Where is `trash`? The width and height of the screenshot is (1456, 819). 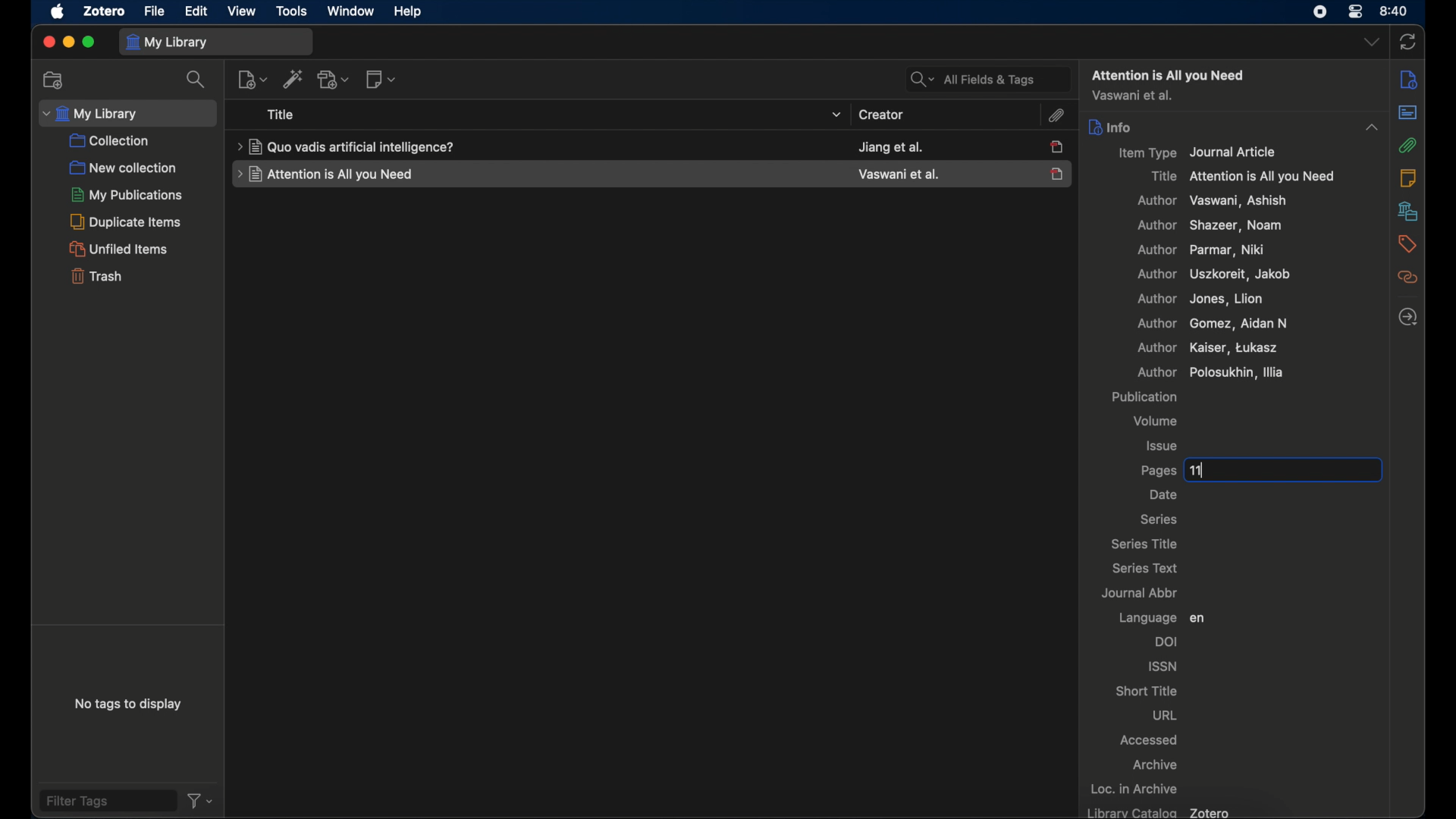 trash is located at coordinates (96, 275).